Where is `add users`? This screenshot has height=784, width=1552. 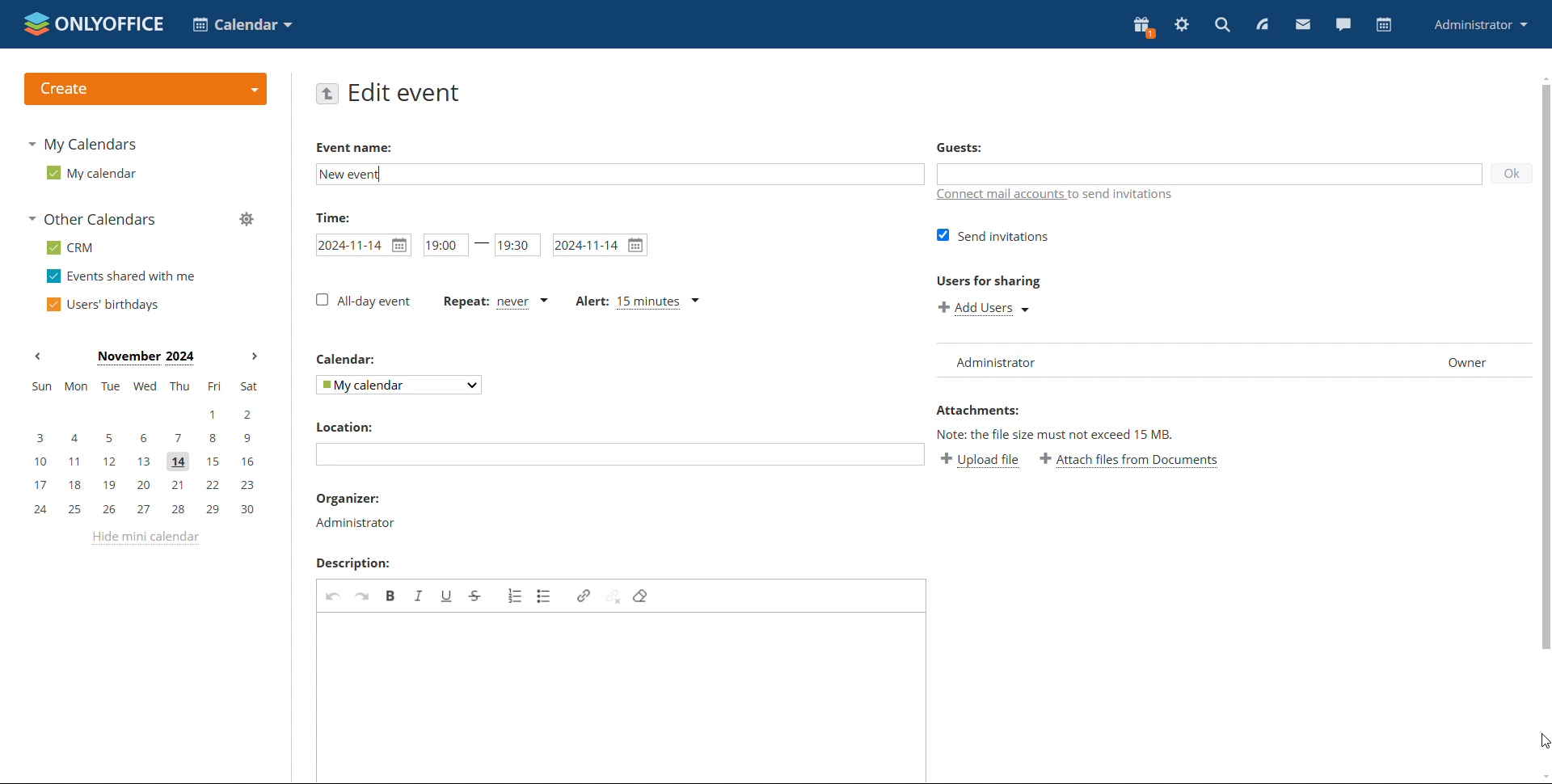 add users is located at coordinates (985, 309).